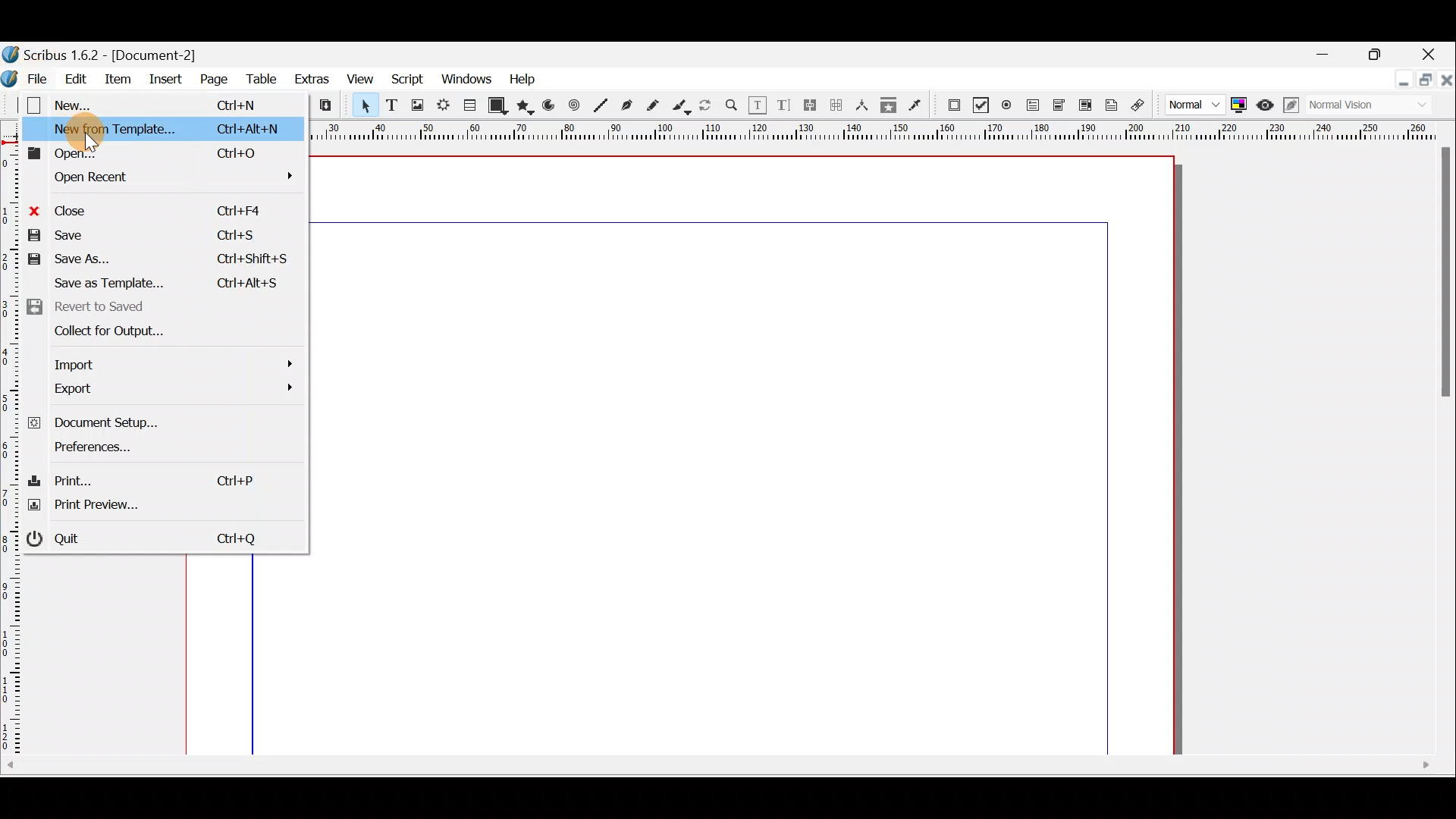  What do you see at coordinates (168, 79) in the screenshot?
I see `Insert` at bounding box center [168, 79].